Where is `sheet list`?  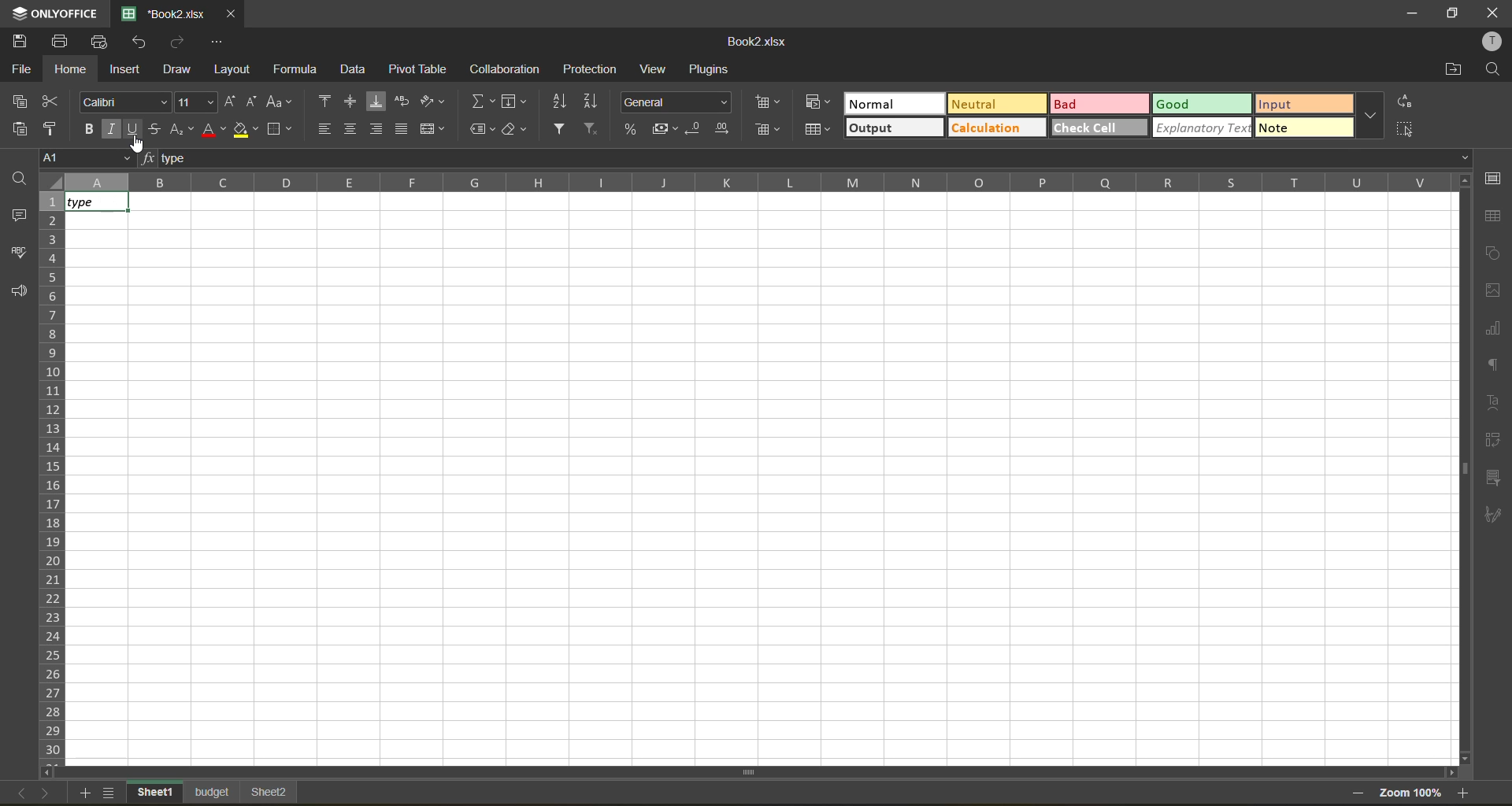
sheet list is located at coordinates (111, 793).